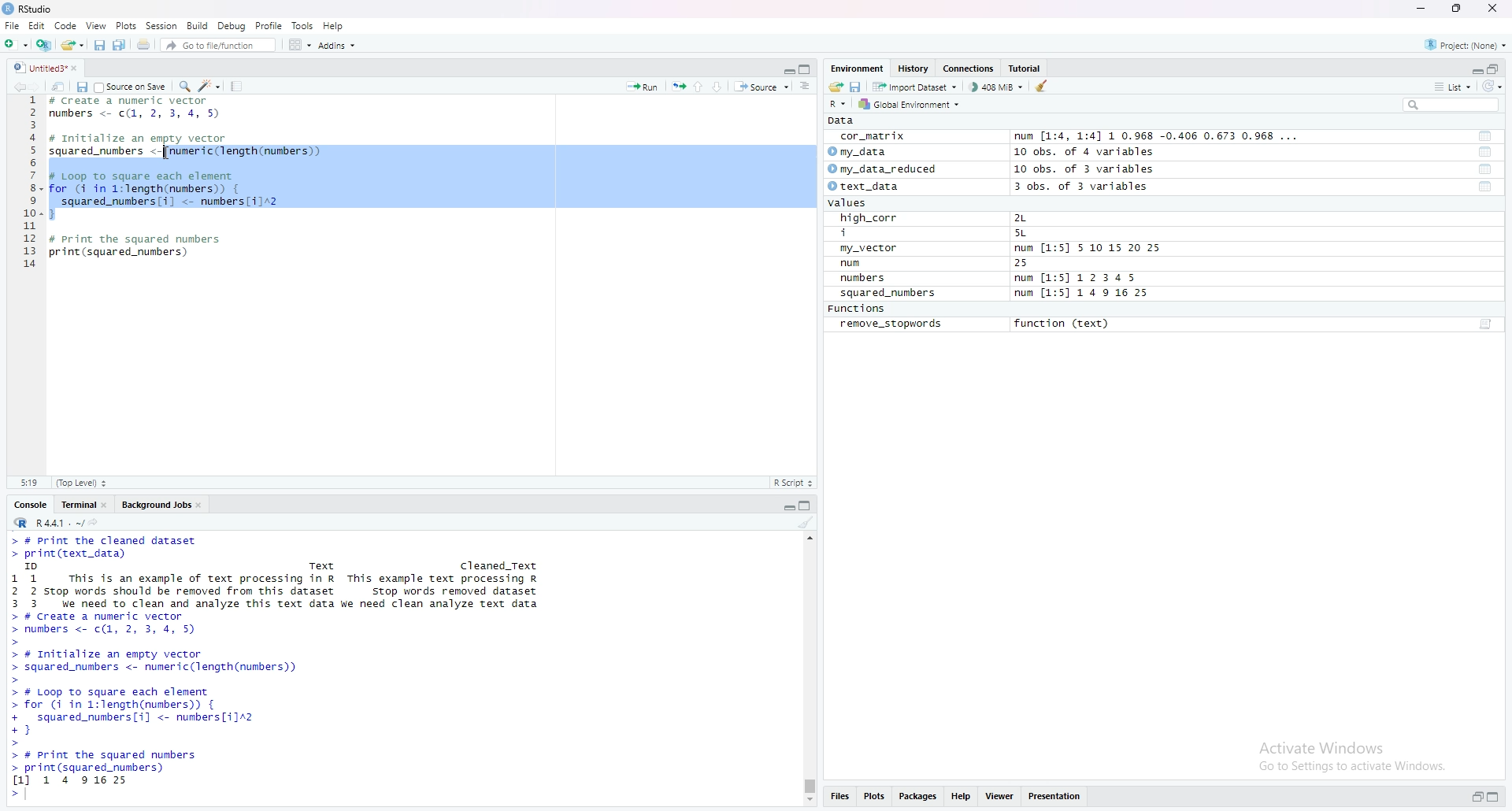  Describe the element at coordinates (143, 139) in the screenshot. I see `# Initialize an empty vector` at that location.